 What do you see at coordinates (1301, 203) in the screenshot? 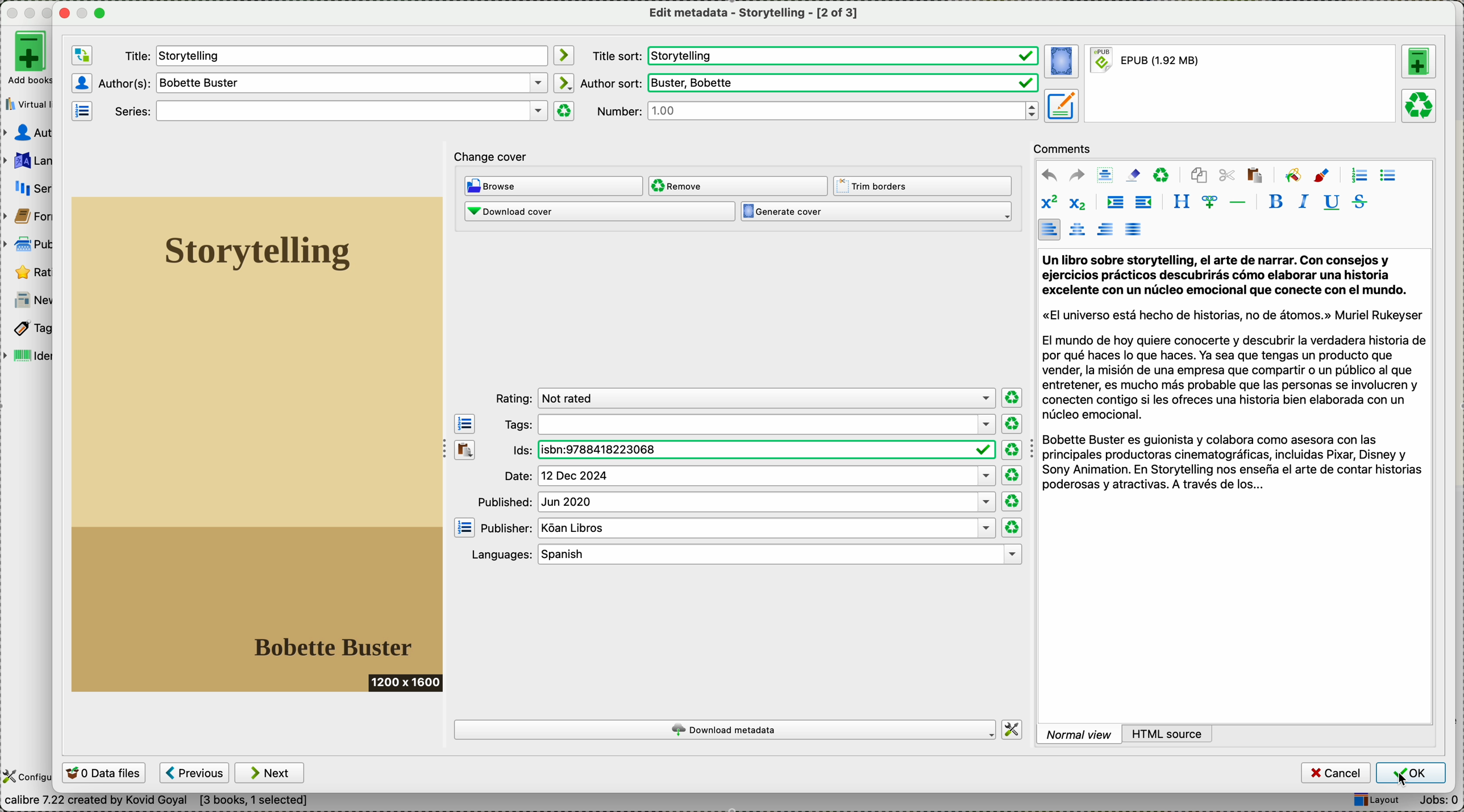
I see `italic` at bounding box center [1301, 203].